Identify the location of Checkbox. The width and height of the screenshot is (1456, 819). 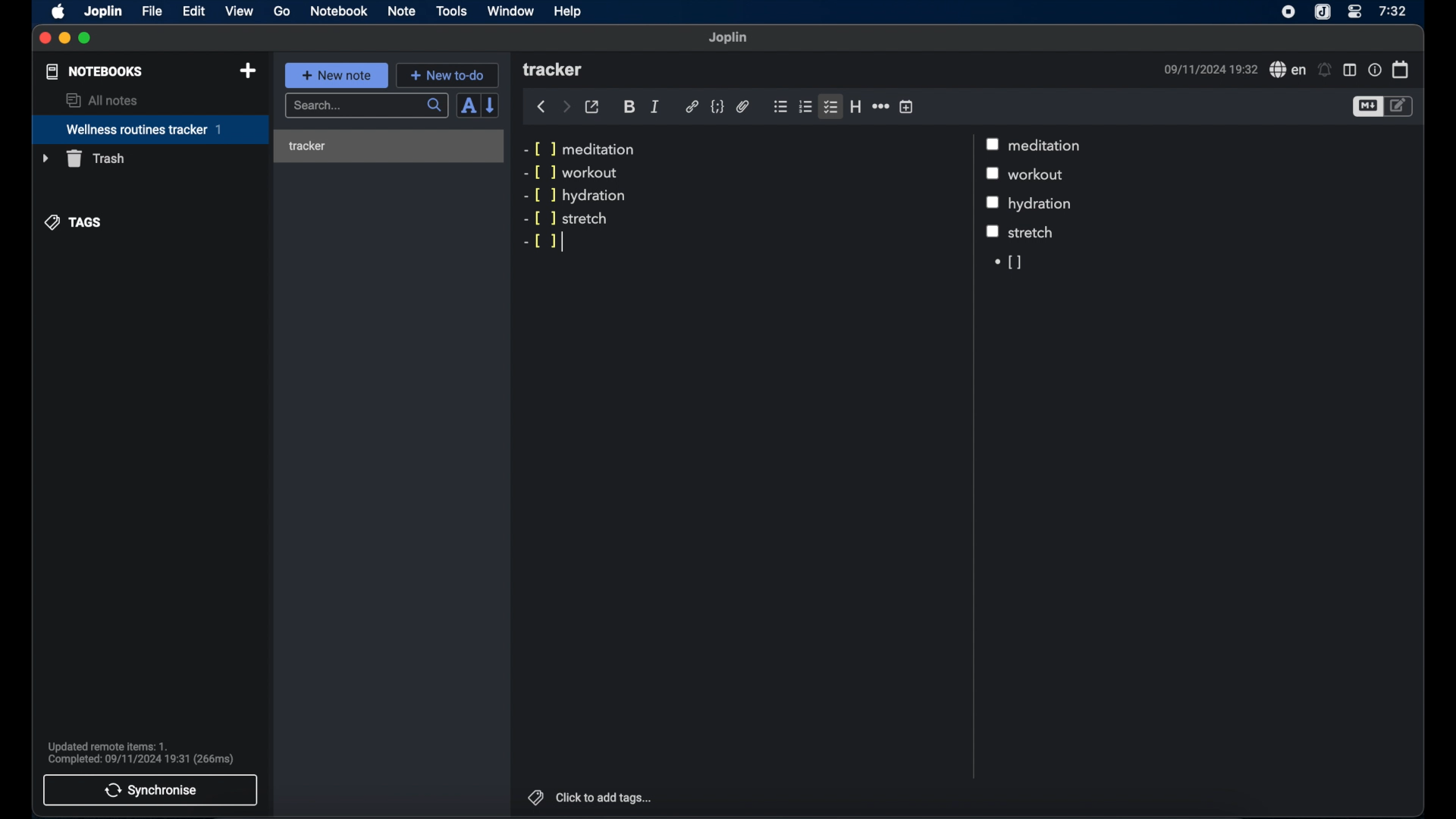
(993, 233).